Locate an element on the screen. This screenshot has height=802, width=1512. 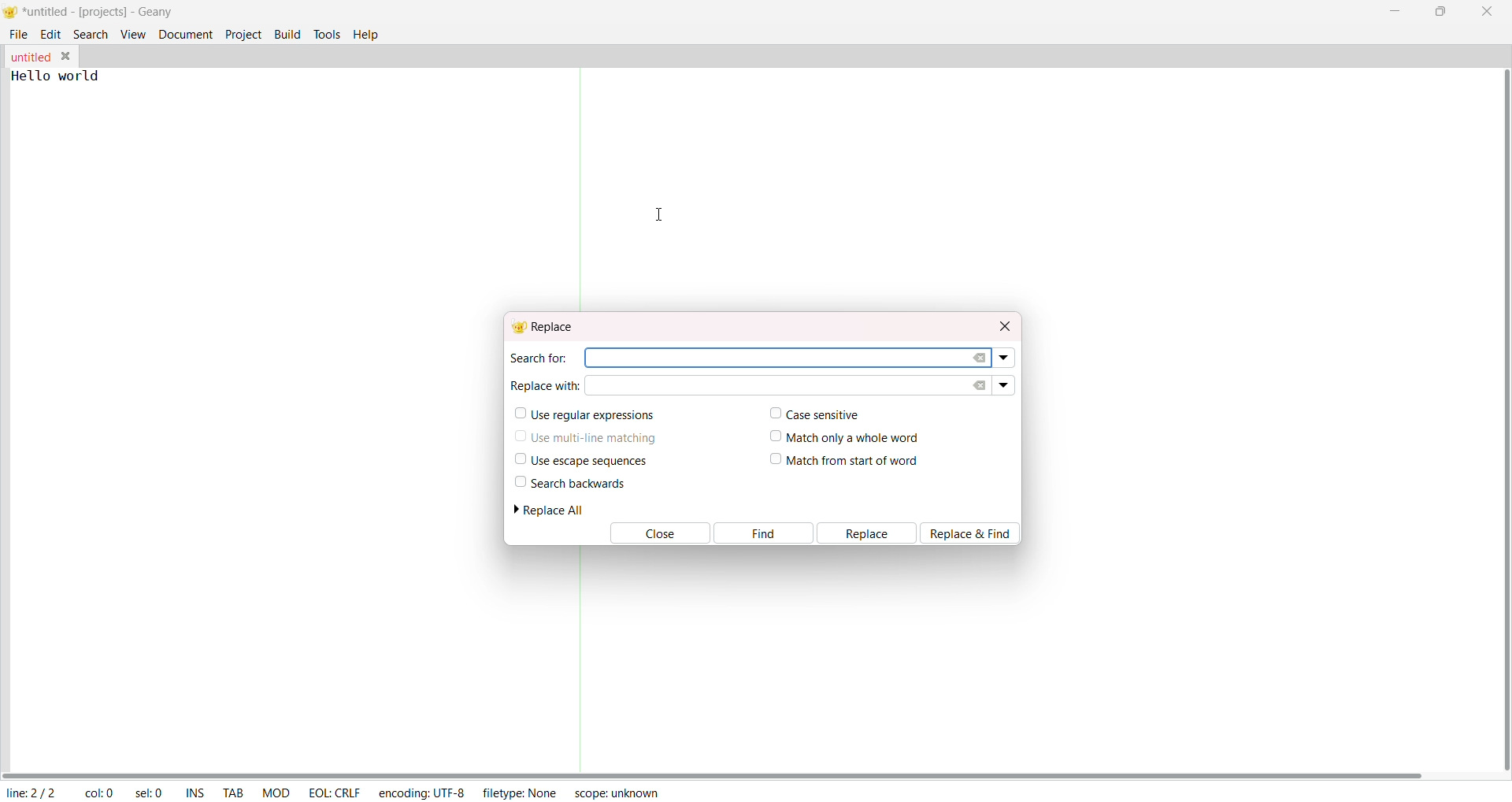
selected is located at coordinates (150, 793).